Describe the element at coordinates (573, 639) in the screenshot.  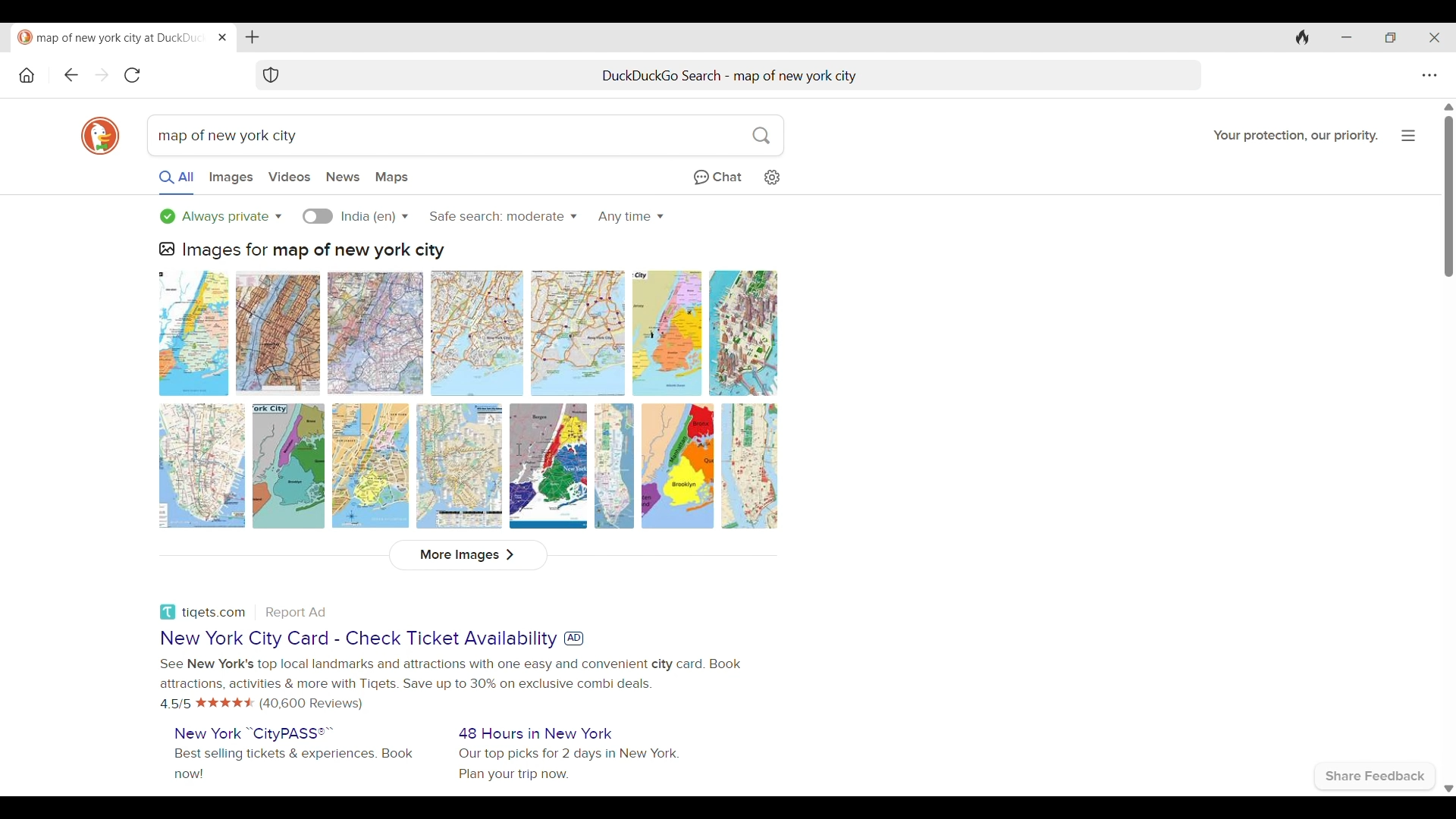
I see `AD` at that location.